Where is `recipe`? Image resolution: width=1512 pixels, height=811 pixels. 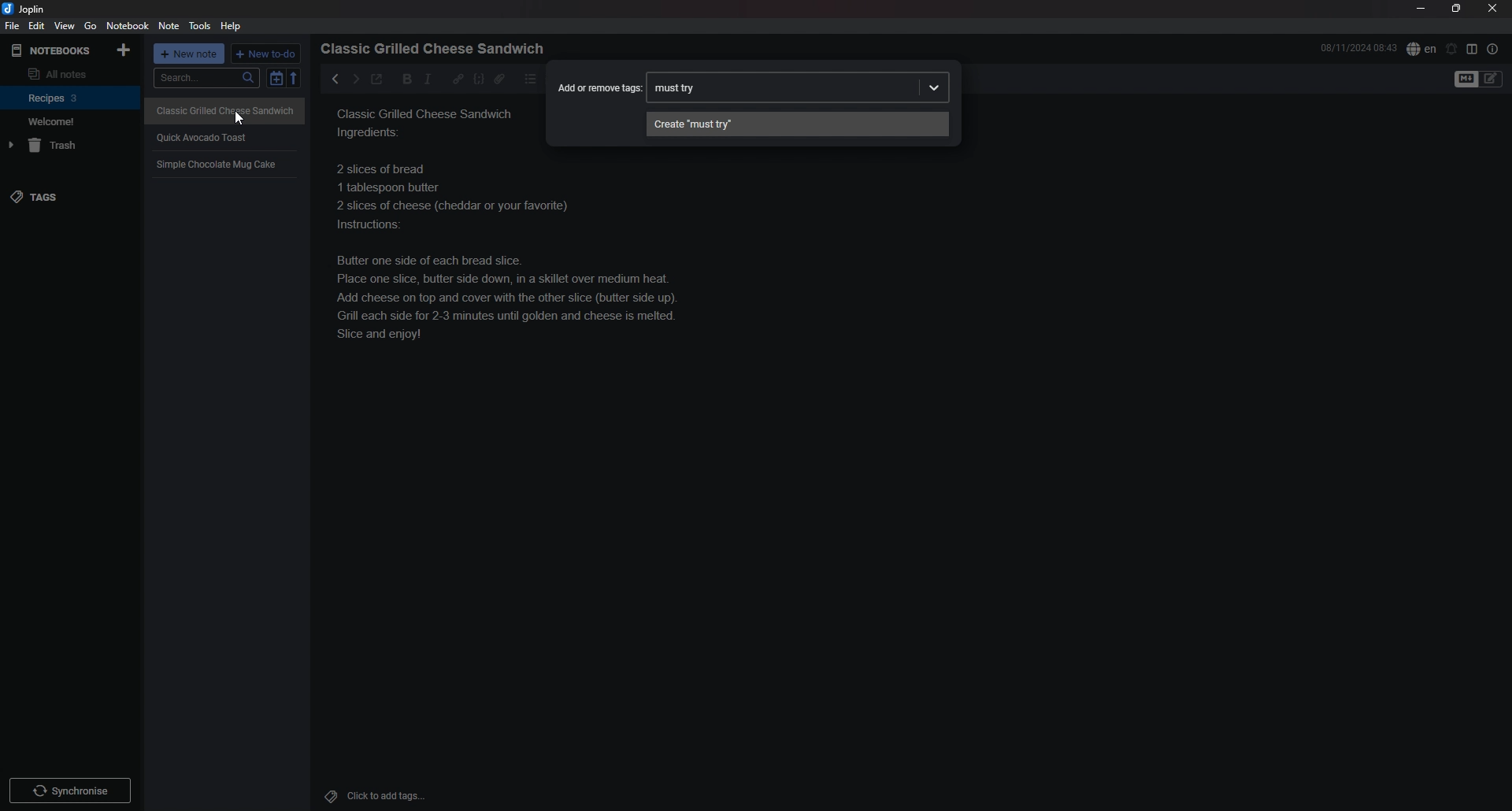
recipe is located at coordinates (220, 109).